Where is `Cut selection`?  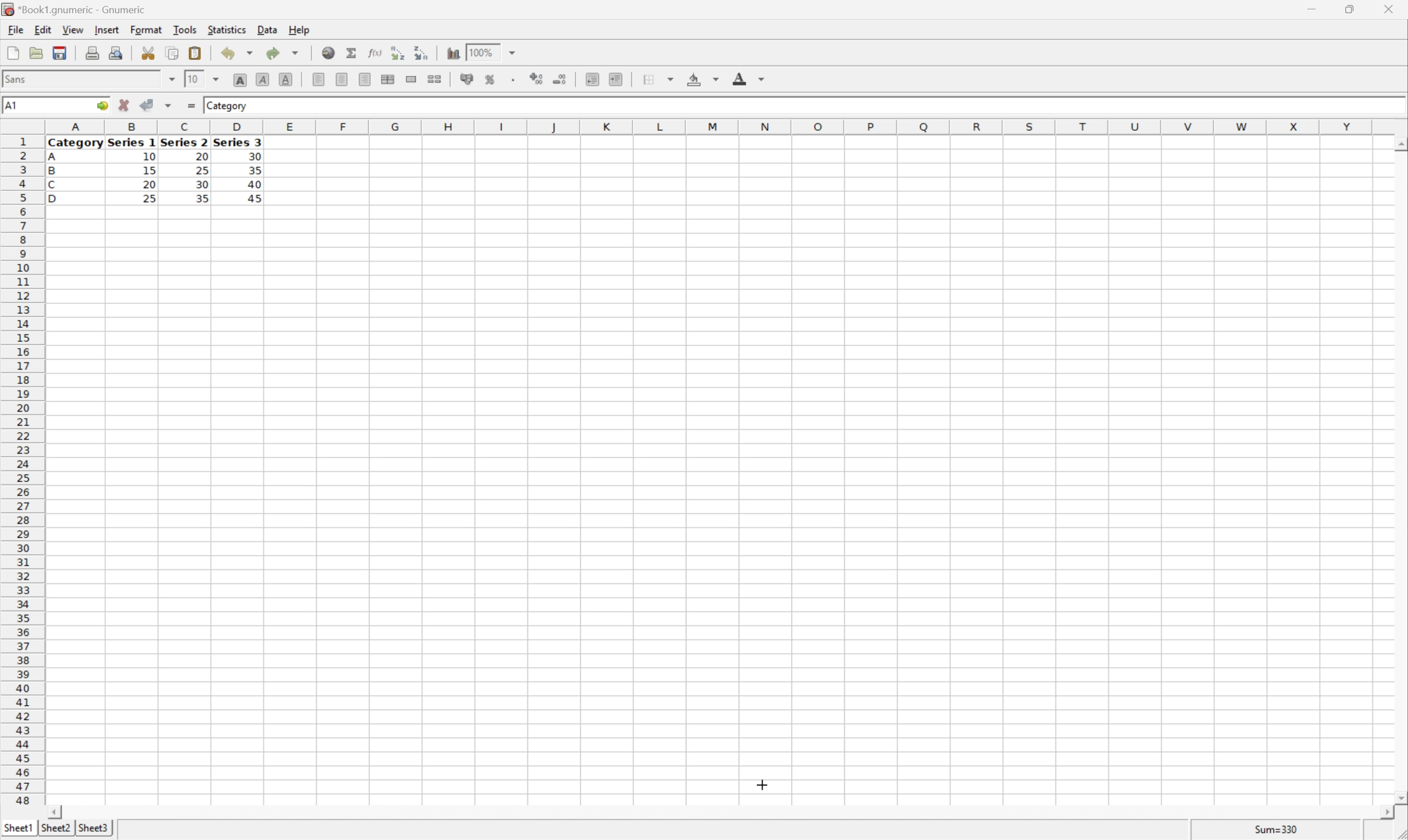 Cut selection is located at coordinates (149, 53).